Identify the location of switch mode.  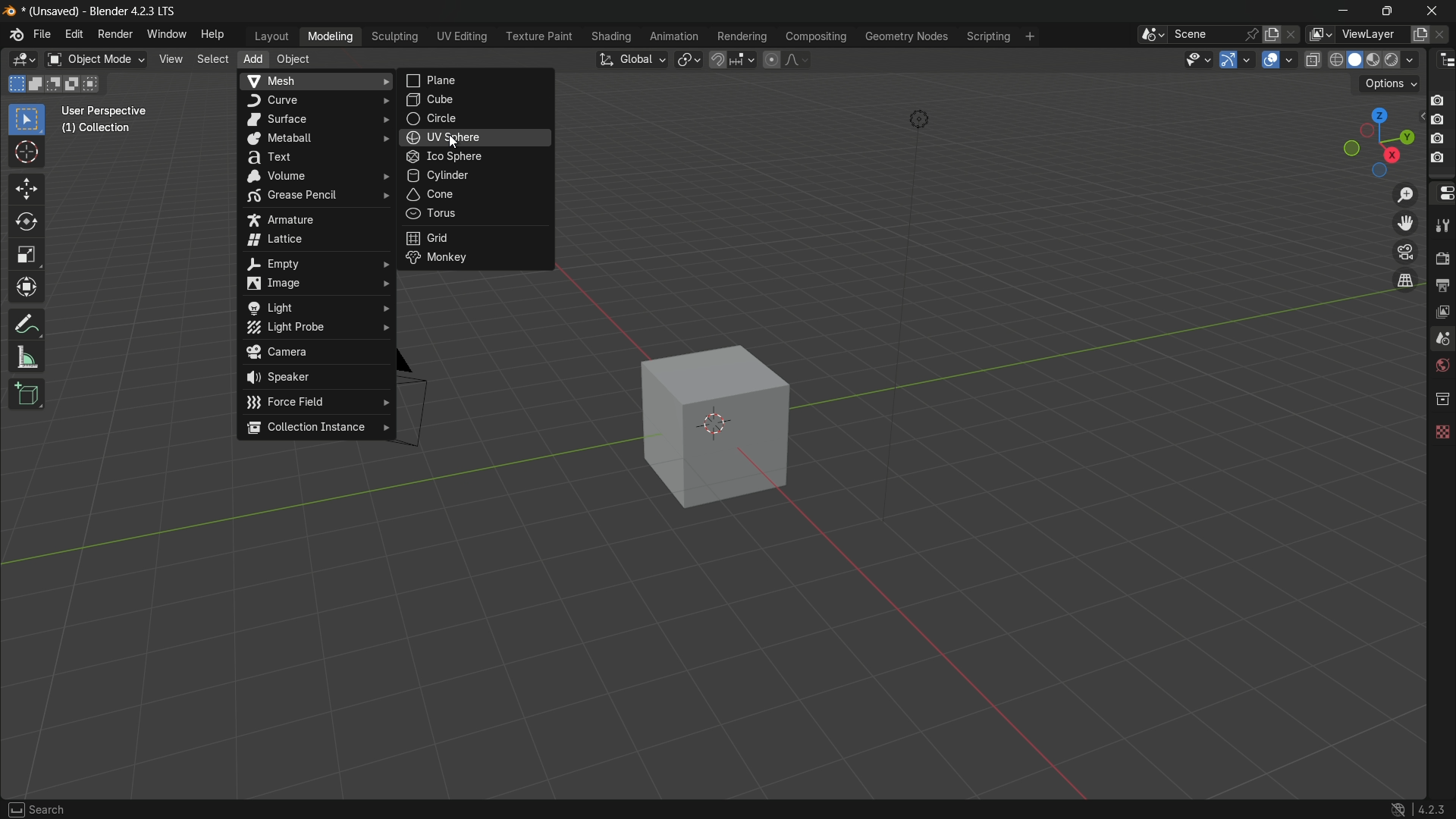
(94, 59).